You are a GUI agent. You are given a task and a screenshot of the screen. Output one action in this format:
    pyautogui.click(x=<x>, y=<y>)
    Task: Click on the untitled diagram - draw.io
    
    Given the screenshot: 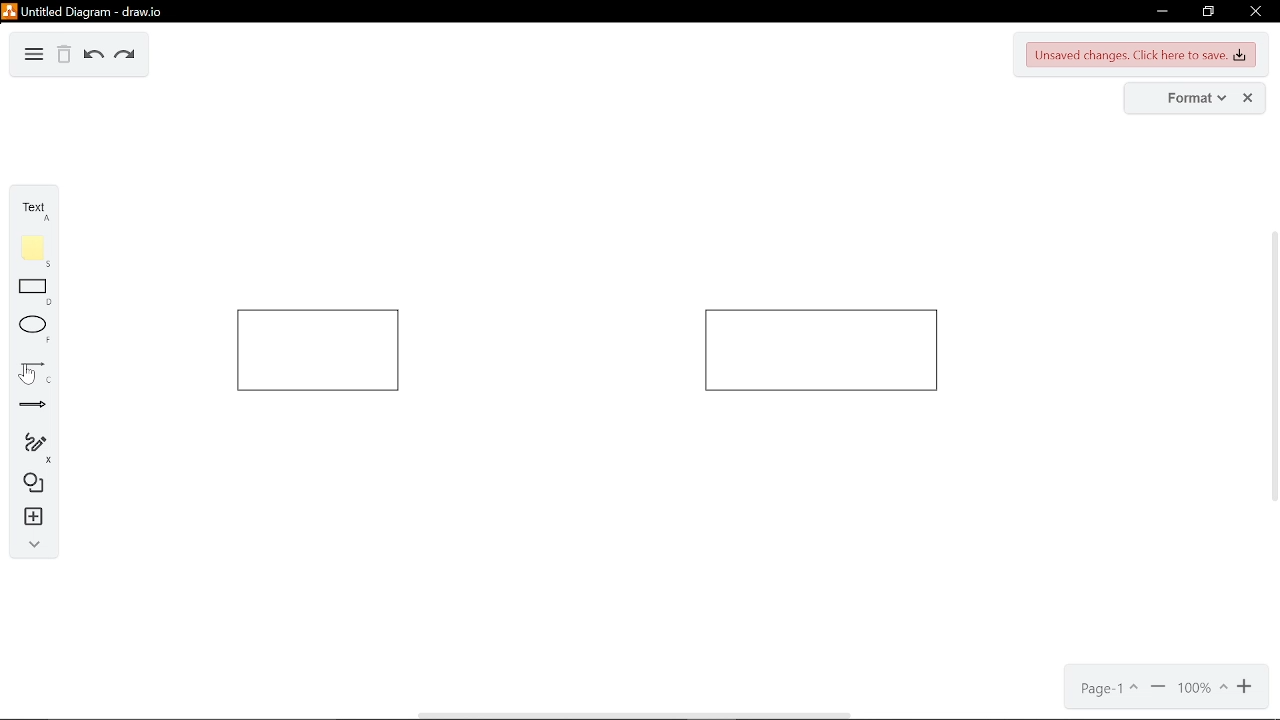 What is the action you would take?
    pyautogui.click(x=90, y=12)
    